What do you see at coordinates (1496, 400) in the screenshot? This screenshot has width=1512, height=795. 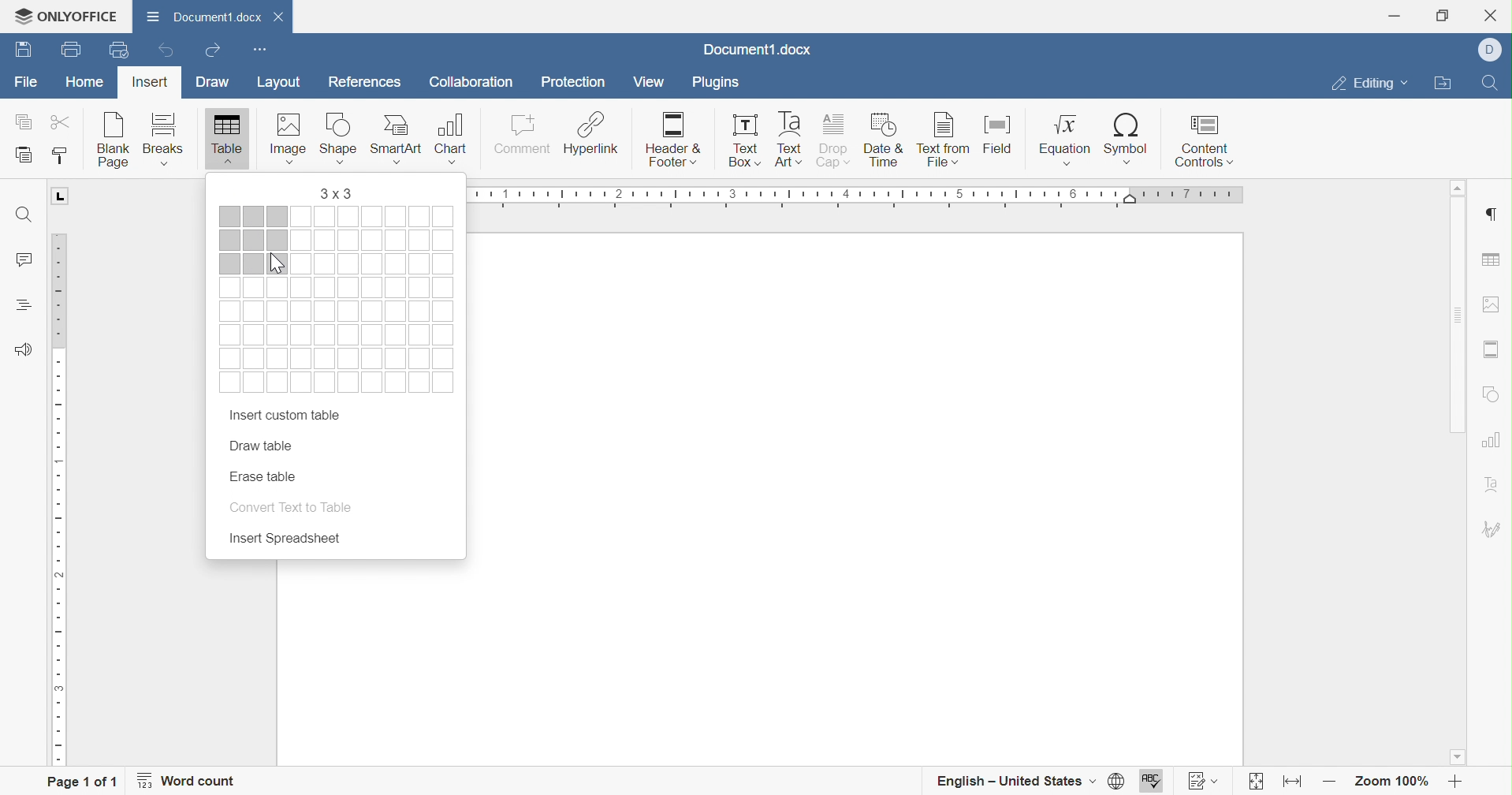 I see `Shape settings` at bounding box center [1496, 400].